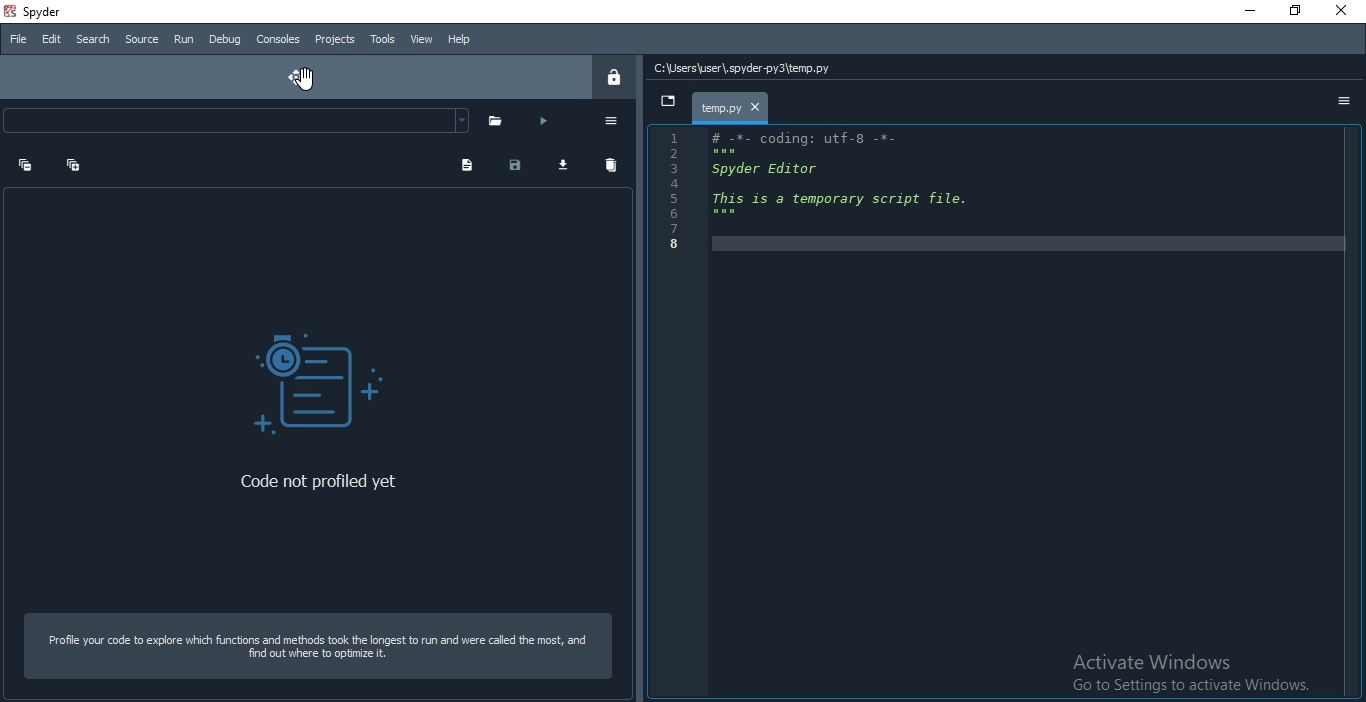 The width and height of the screenshot is (1366, 702). I want to click on serial numbers (1-8), so click(671, 192).